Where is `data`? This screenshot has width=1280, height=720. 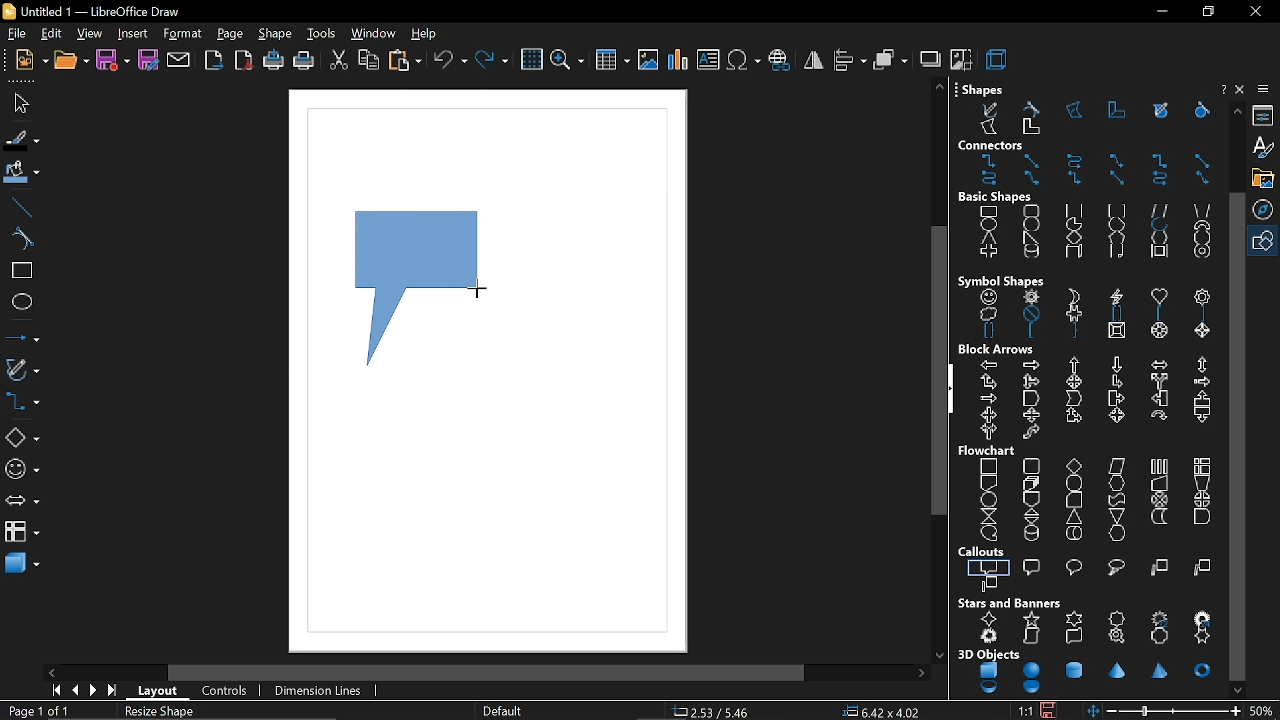 data is located at coordinates (1117, 467).